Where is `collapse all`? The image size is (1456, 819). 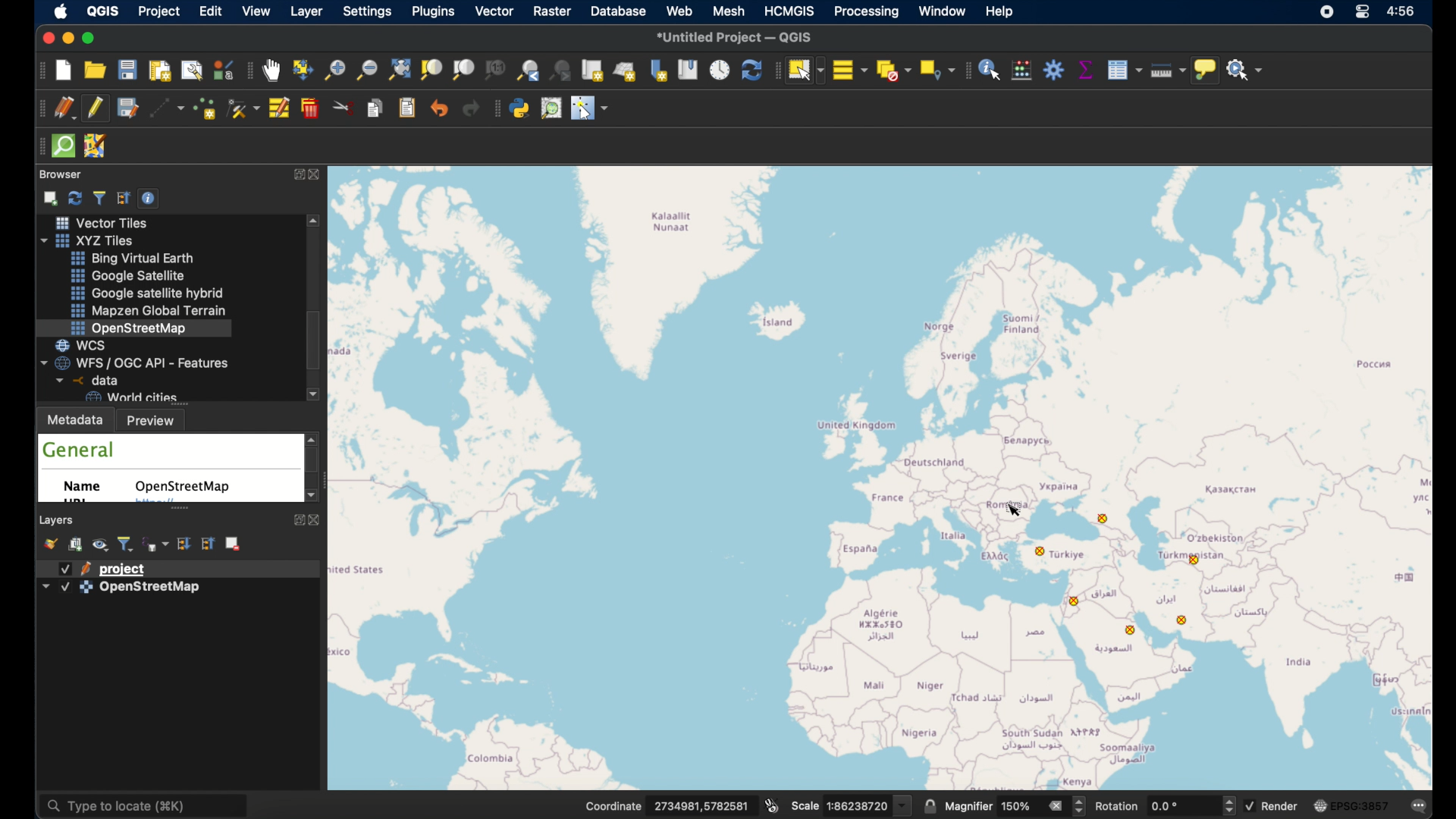 collapse all is located at coordinates (207, 543).